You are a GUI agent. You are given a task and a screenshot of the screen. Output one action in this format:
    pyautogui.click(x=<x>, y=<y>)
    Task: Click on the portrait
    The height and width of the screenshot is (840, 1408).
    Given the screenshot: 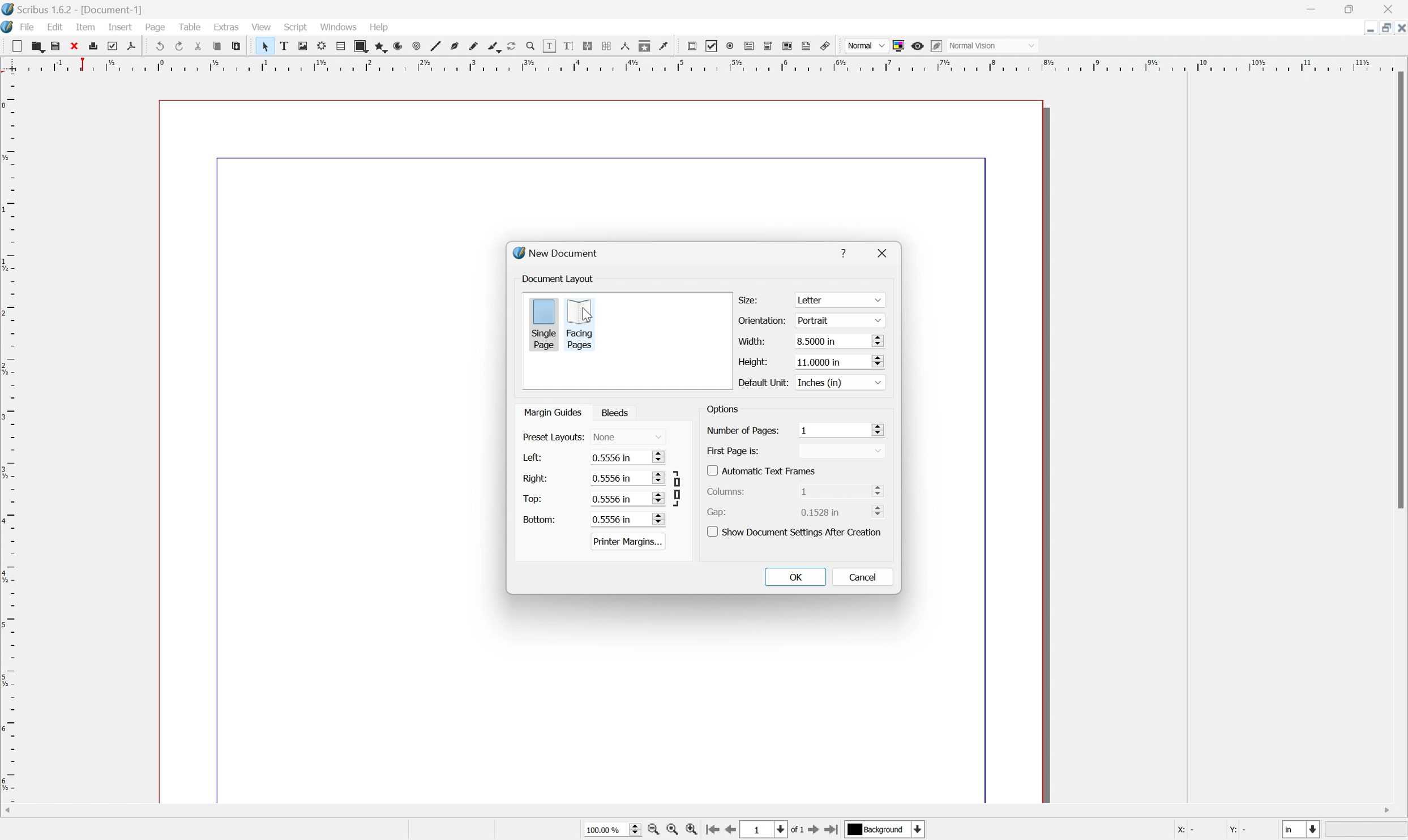 What is the action you would take?
    pyautogui.click(x=837, y=320)
    